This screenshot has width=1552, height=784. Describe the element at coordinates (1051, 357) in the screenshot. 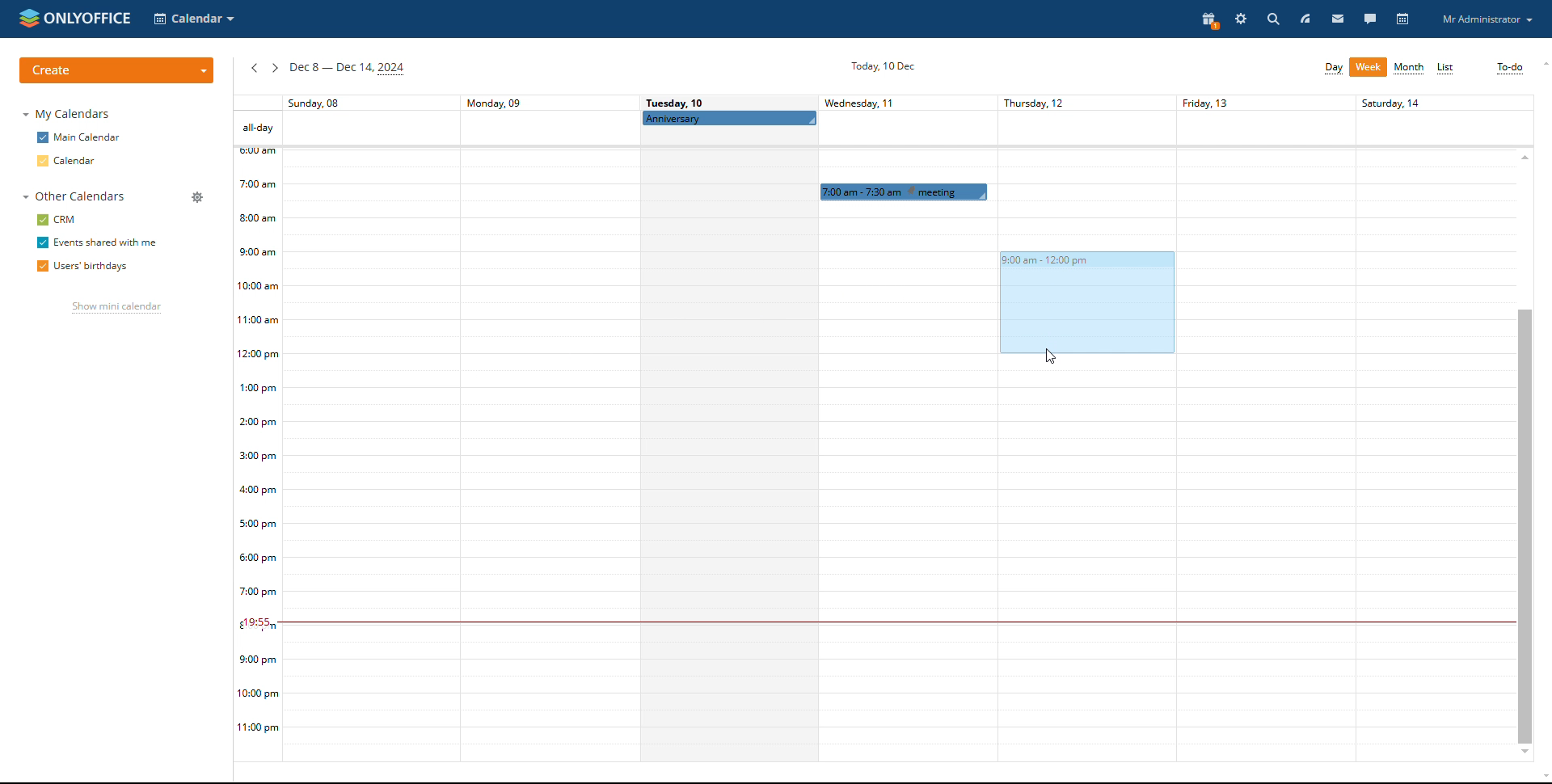

I see `cursor` at that location.